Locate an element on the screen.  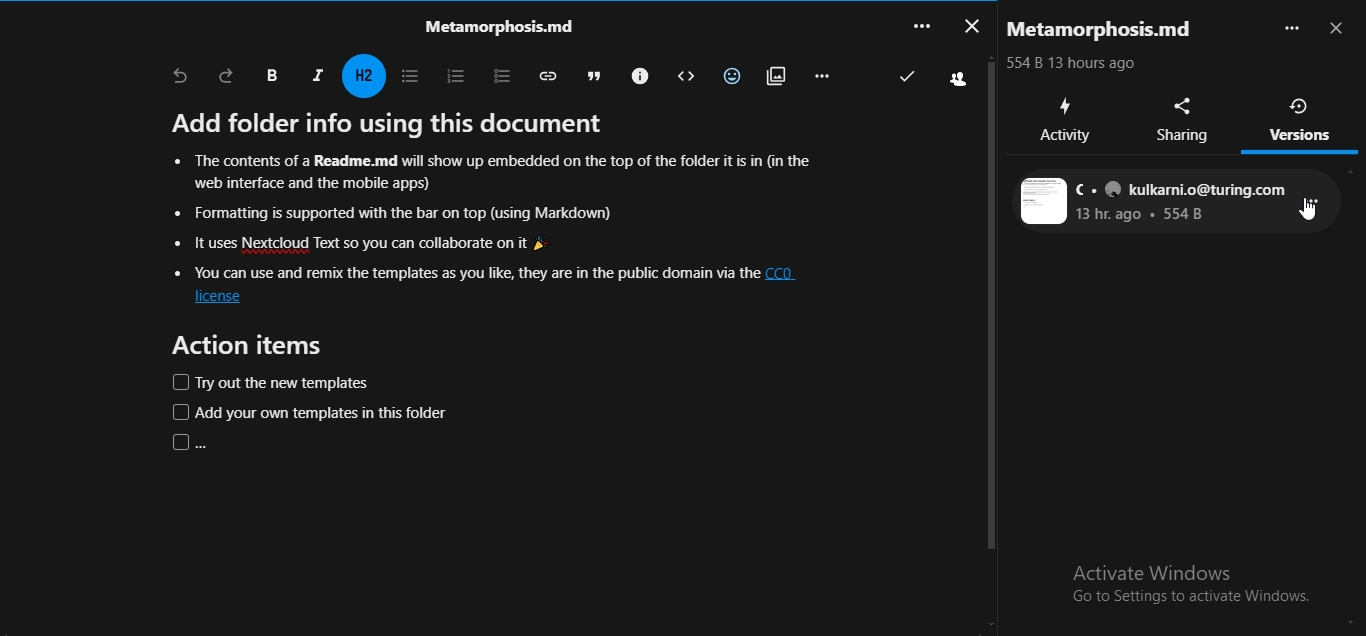
insert link is located at coordinates (544, 75).